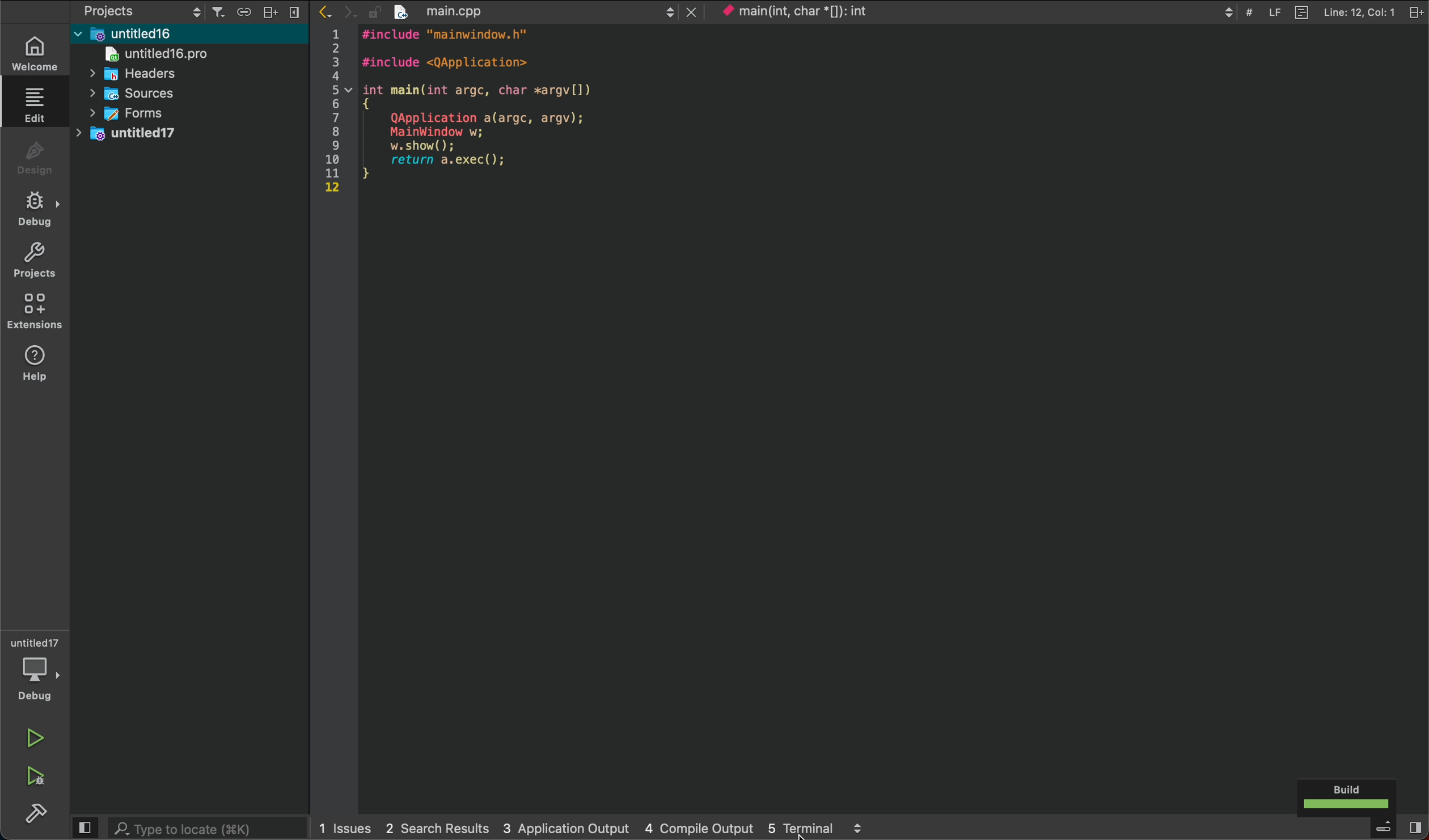 The height and width of the screenshot is (840, 1429). Describe the element at coordinates (33, 207) in the screenshot. I see `debug` at that location.